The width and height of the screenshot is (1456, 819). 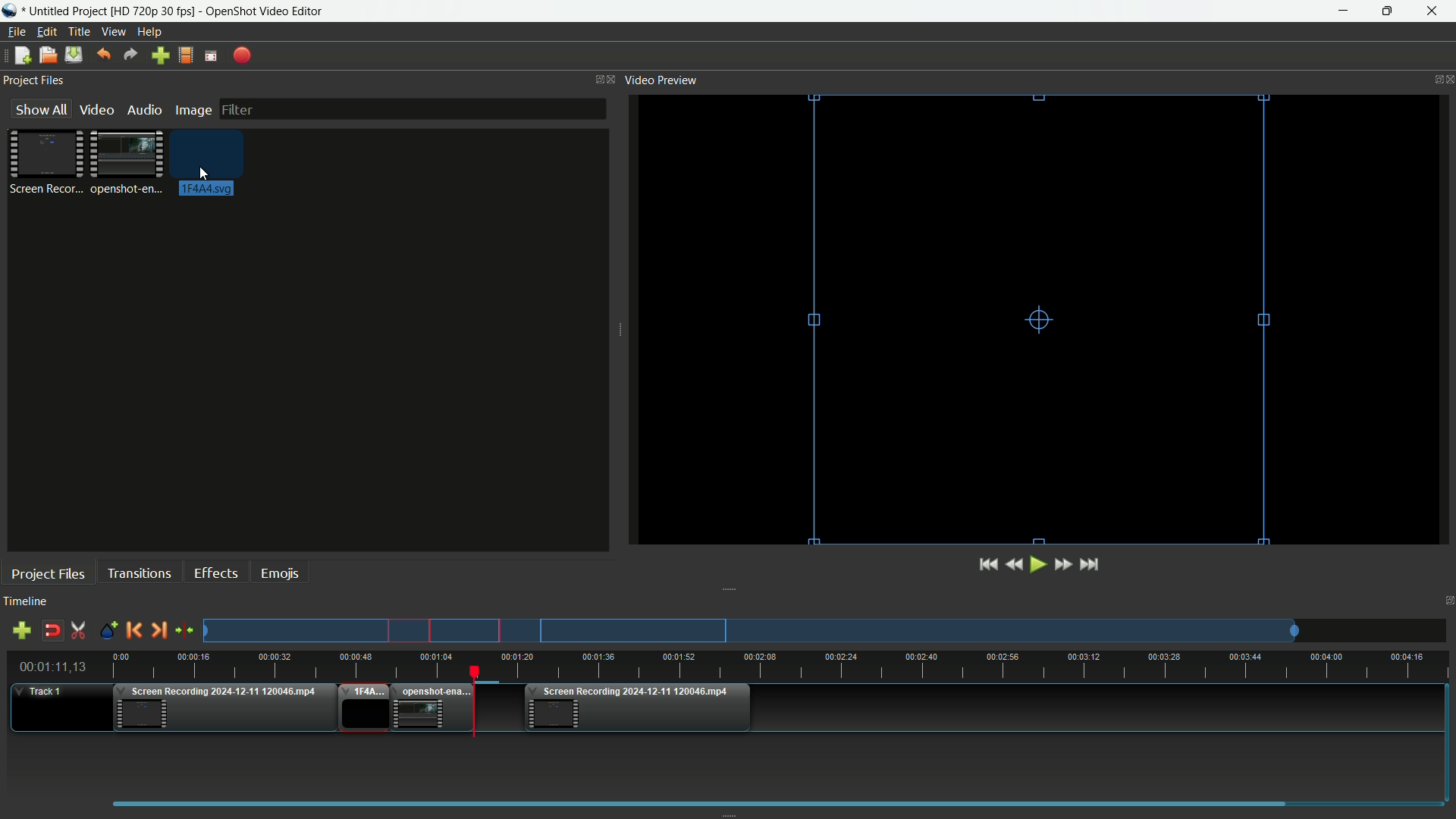 I want to click on minimize, so click(x=1348, y=11).